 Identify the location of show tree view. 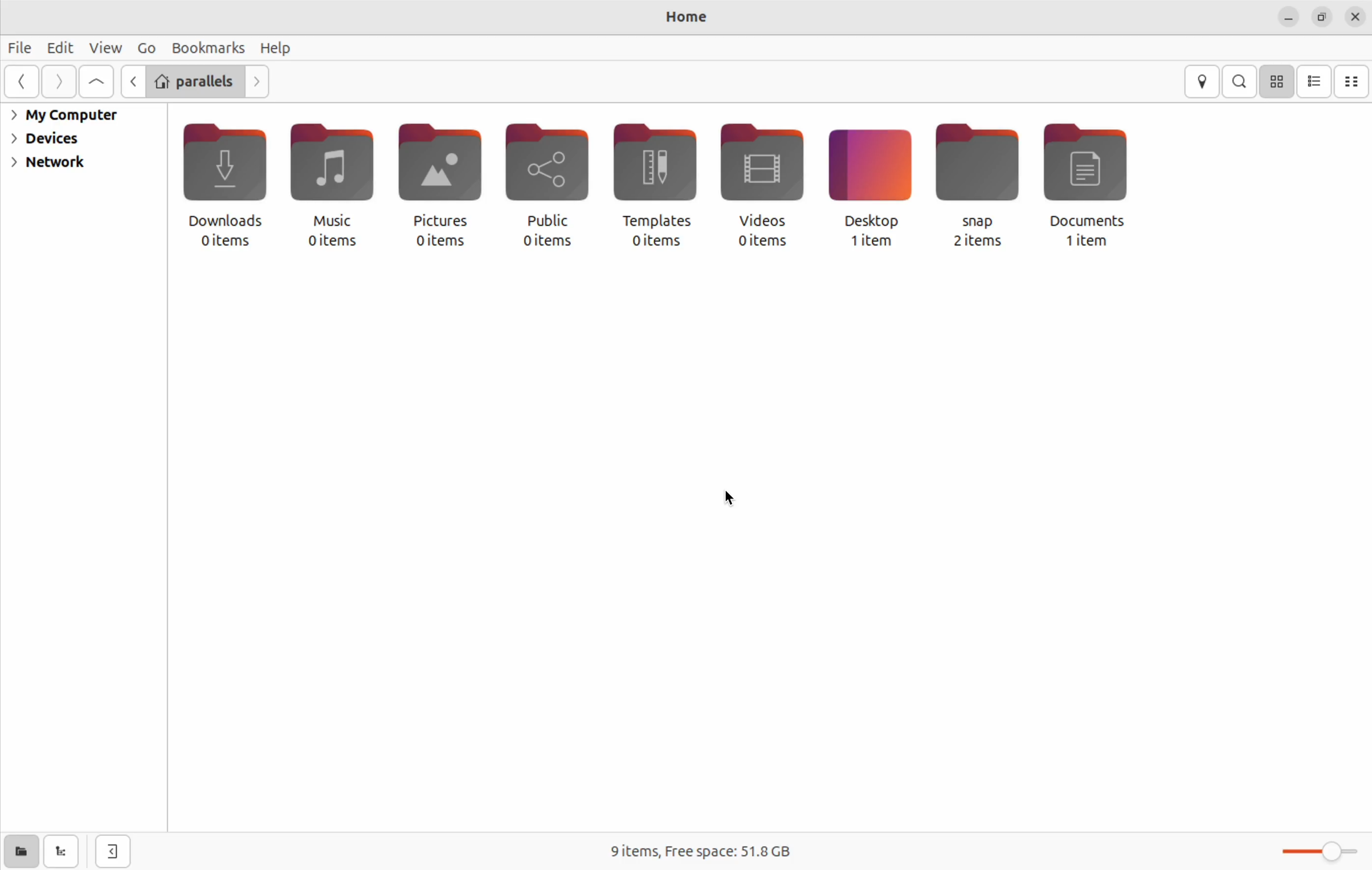
(63, 852).